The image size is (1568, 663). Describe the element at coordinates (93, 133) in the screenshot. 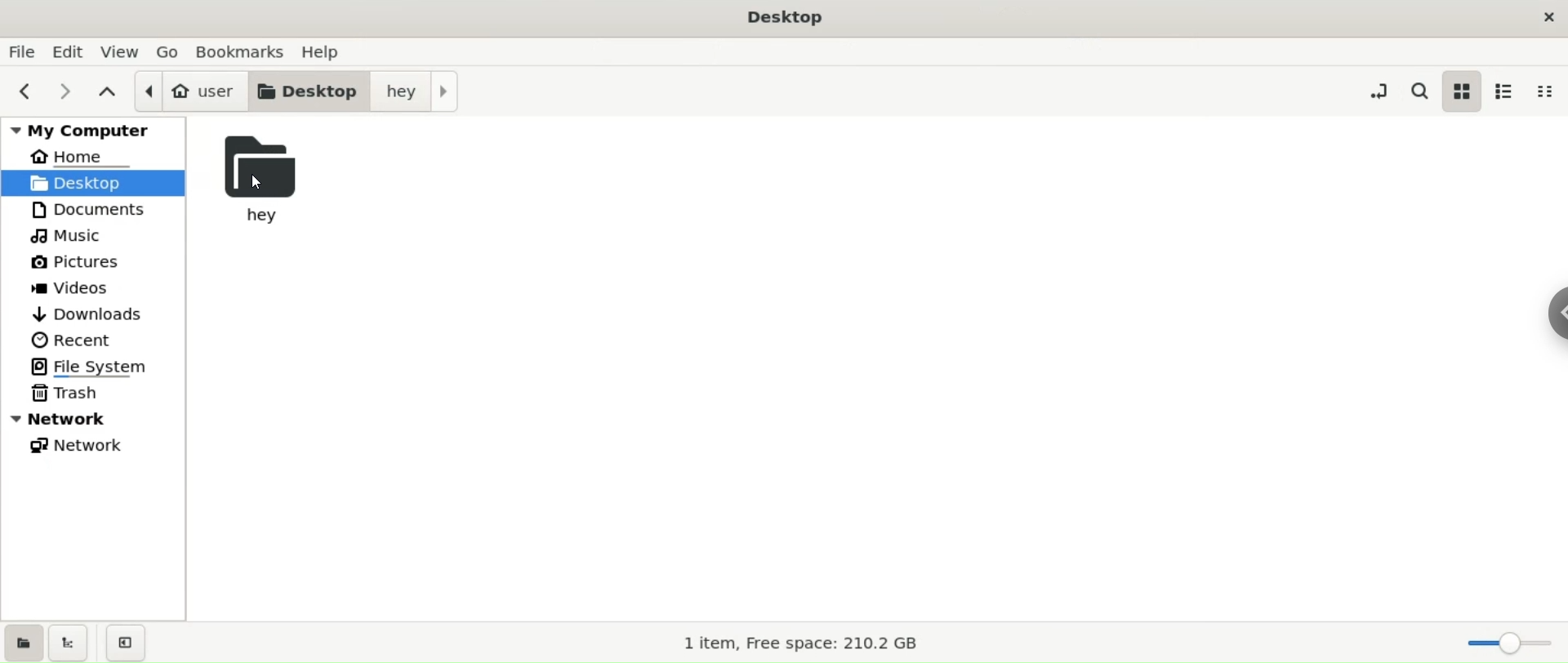

I see `my computer` at that location.